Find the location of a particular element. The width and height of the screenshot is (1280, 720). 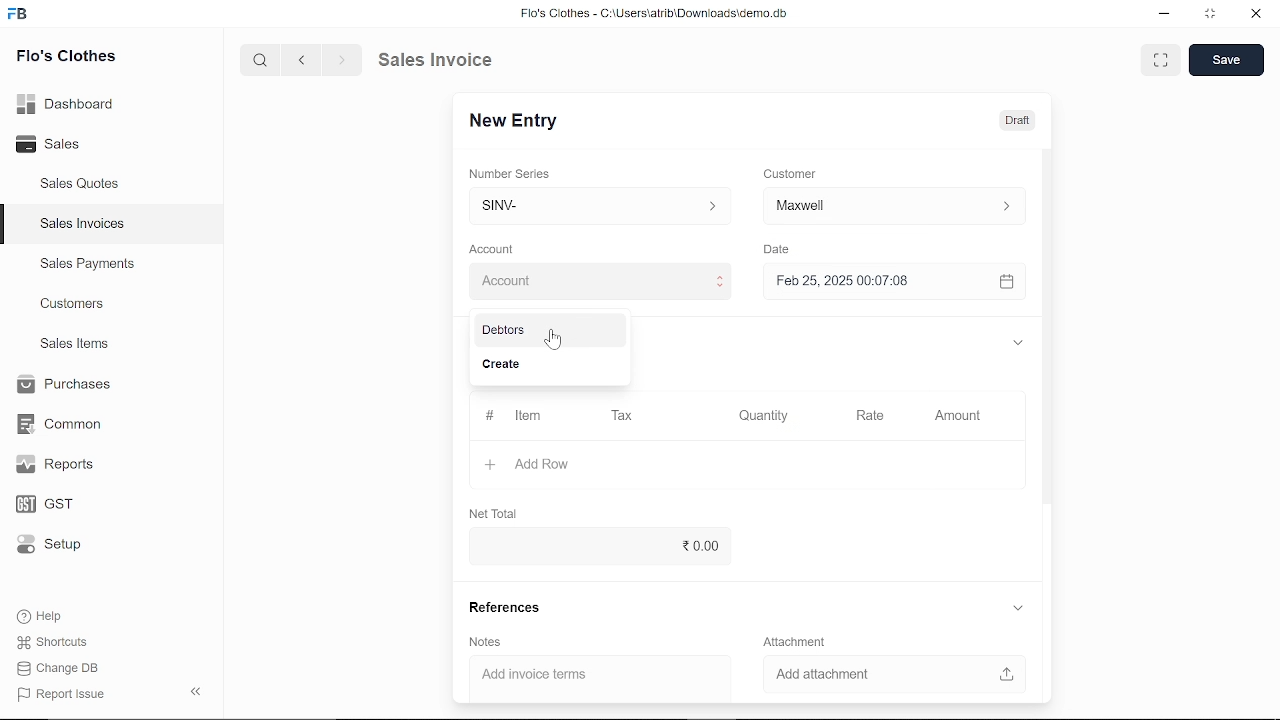

open calender is located at coordinates (1006, 282).